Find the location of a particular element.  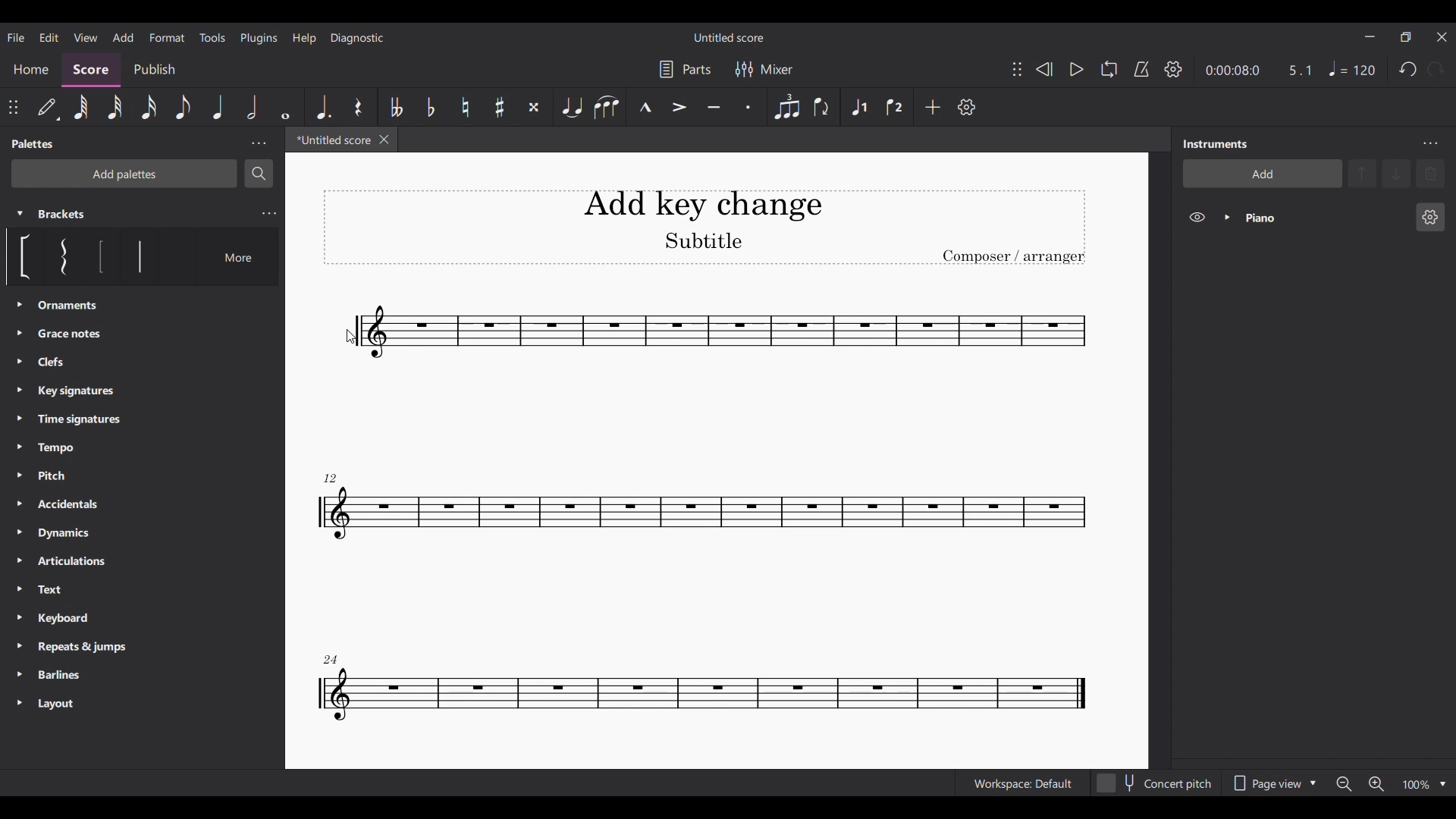

Score section, highlighted is located at coordinates (90, 70).